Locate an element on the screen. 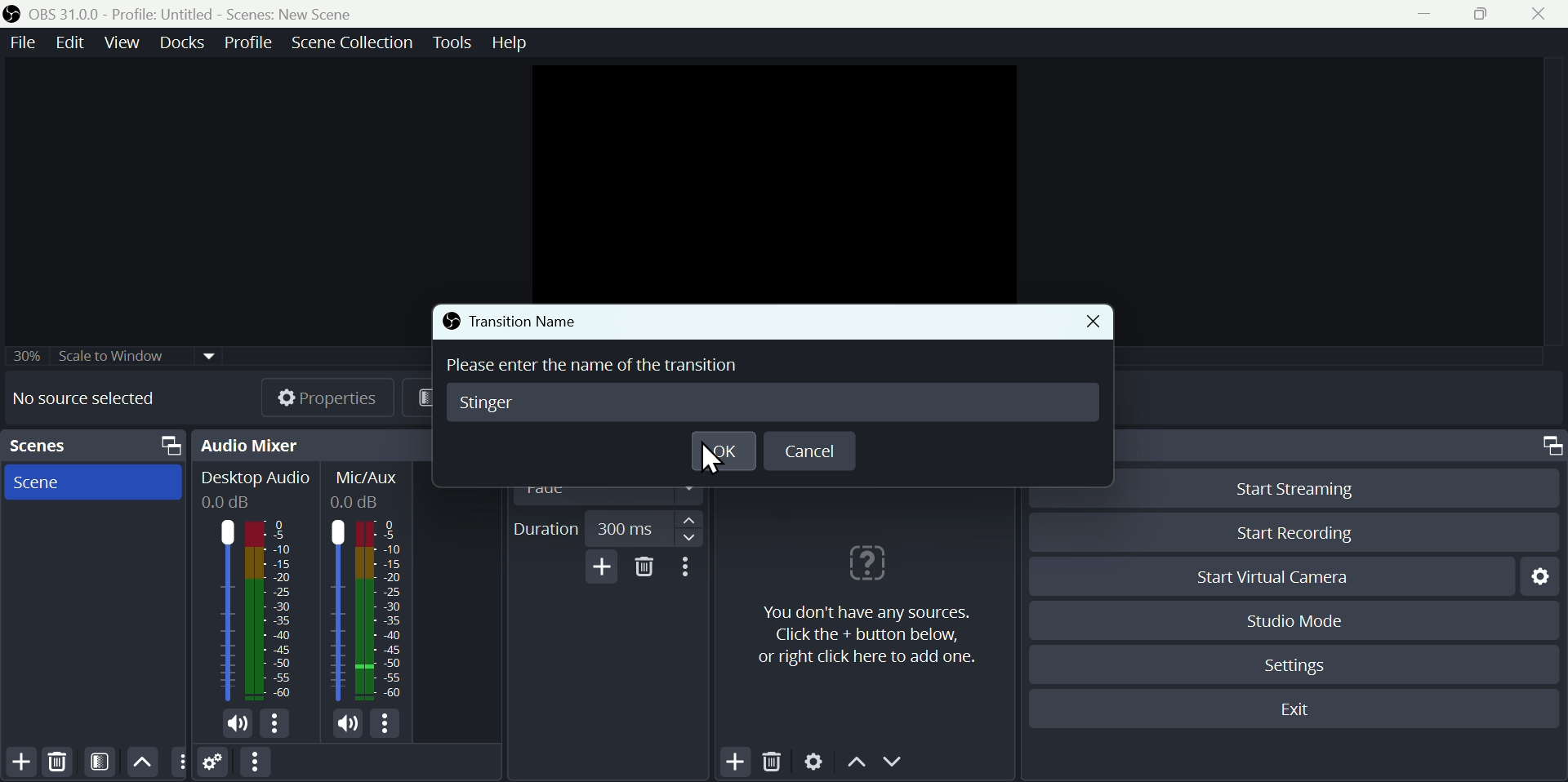  Delete is located at coordinates (777, 762).